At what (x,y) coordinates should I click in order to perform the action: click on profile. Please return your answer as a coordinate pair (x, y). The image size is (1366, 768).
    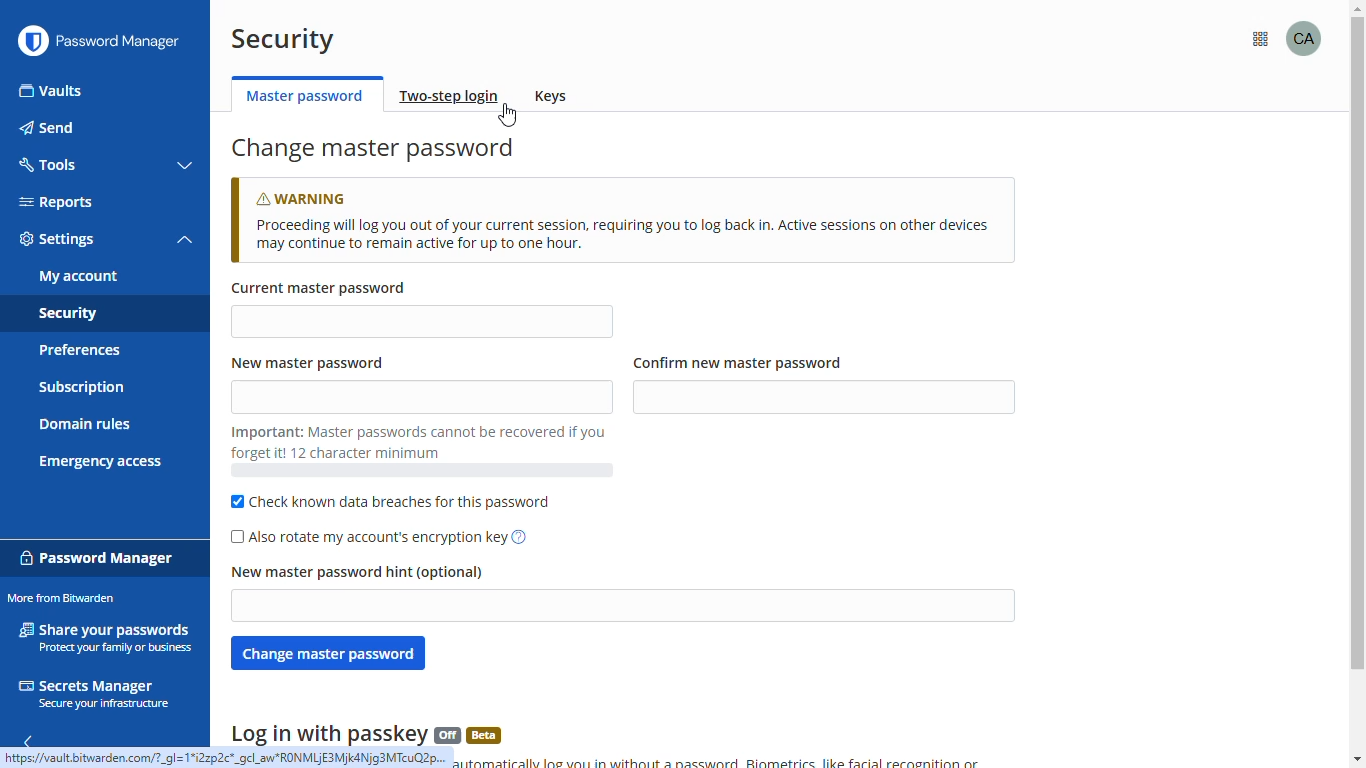
    Looking at the image, I should click on (1303, 38).